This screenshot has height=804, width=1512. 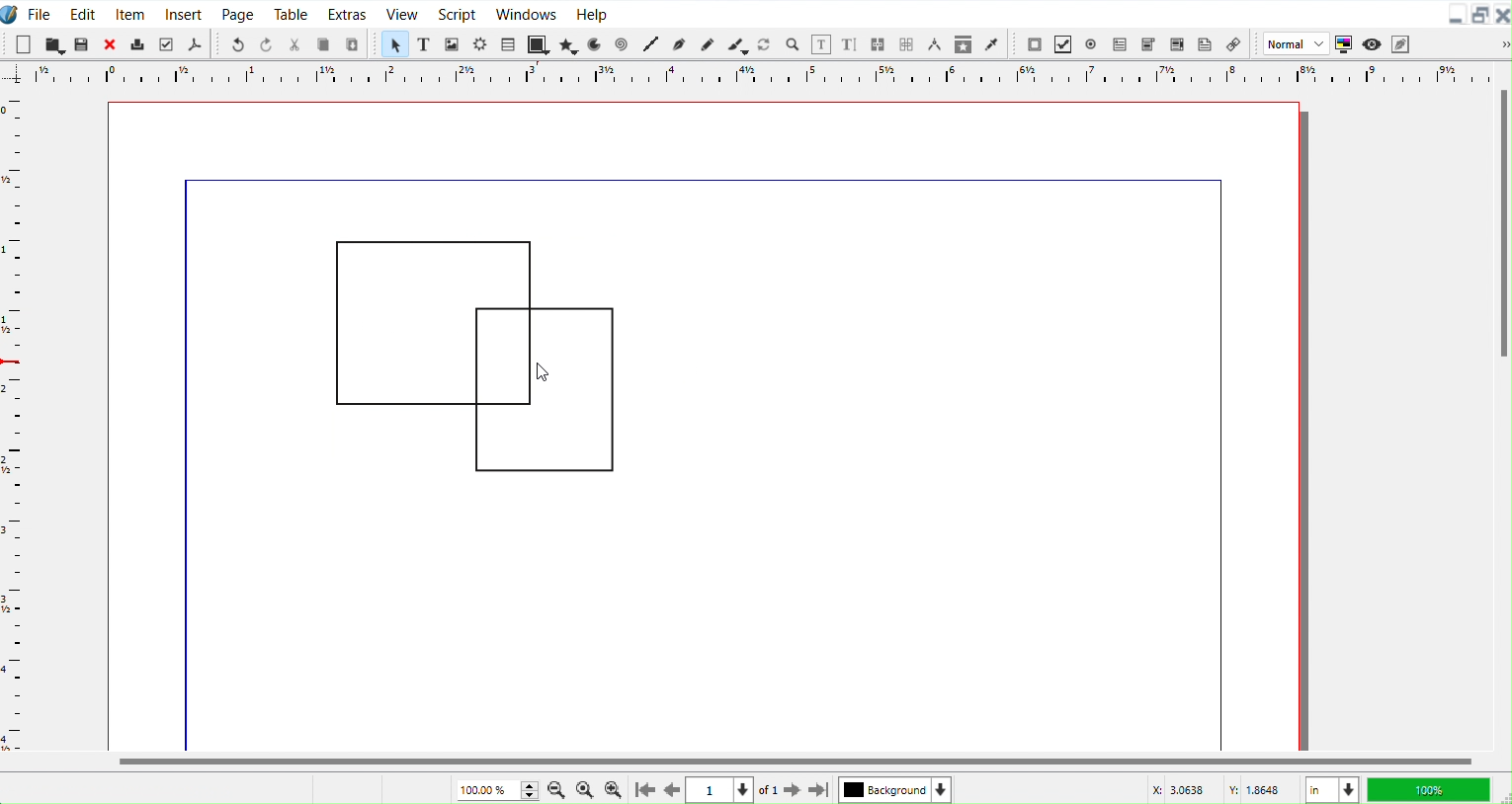 I want to click on Y Co-ordinate, so click(x=1258, y=789).